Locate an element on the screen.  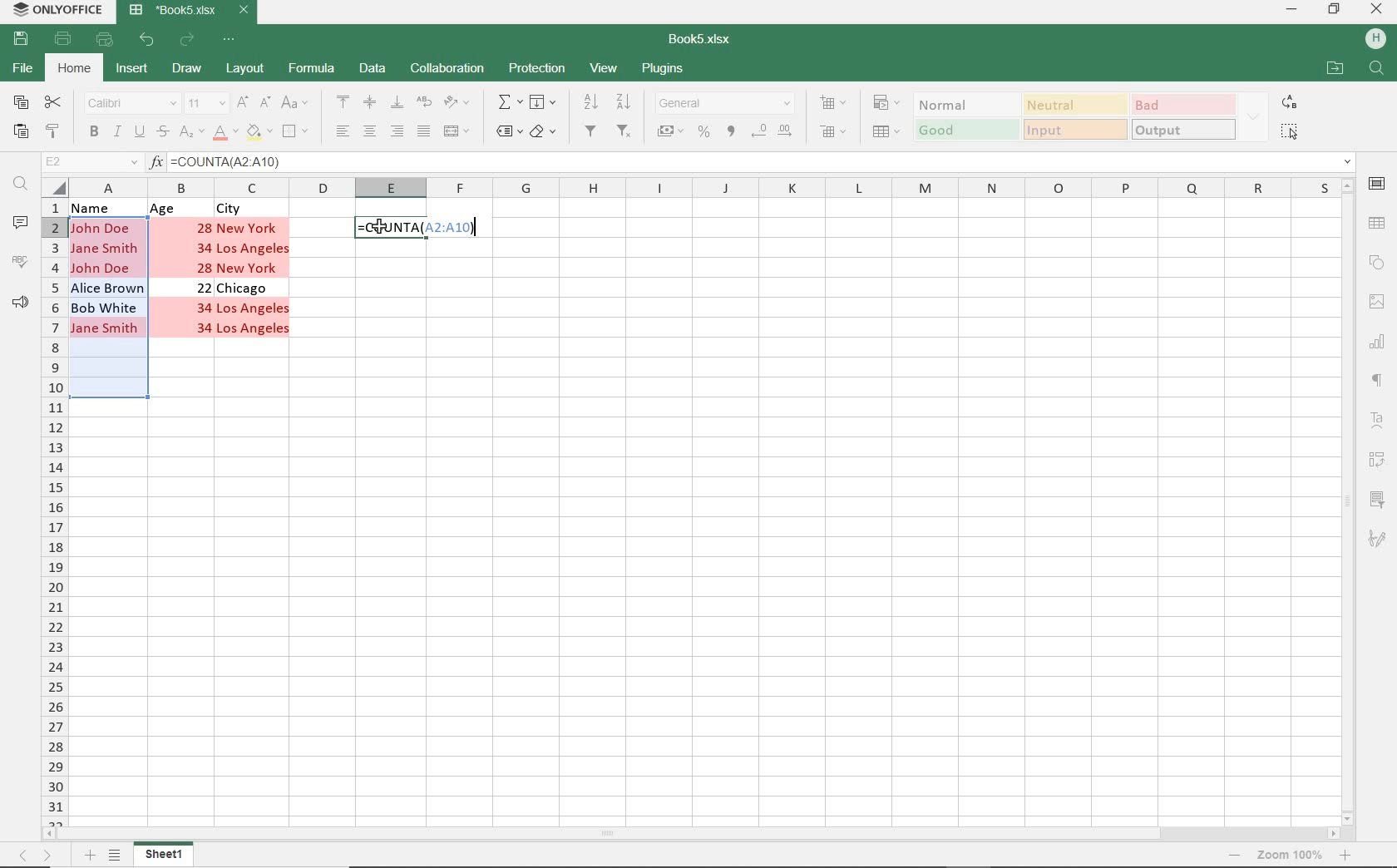
TEXTART is located at coordinates (1375, 421).